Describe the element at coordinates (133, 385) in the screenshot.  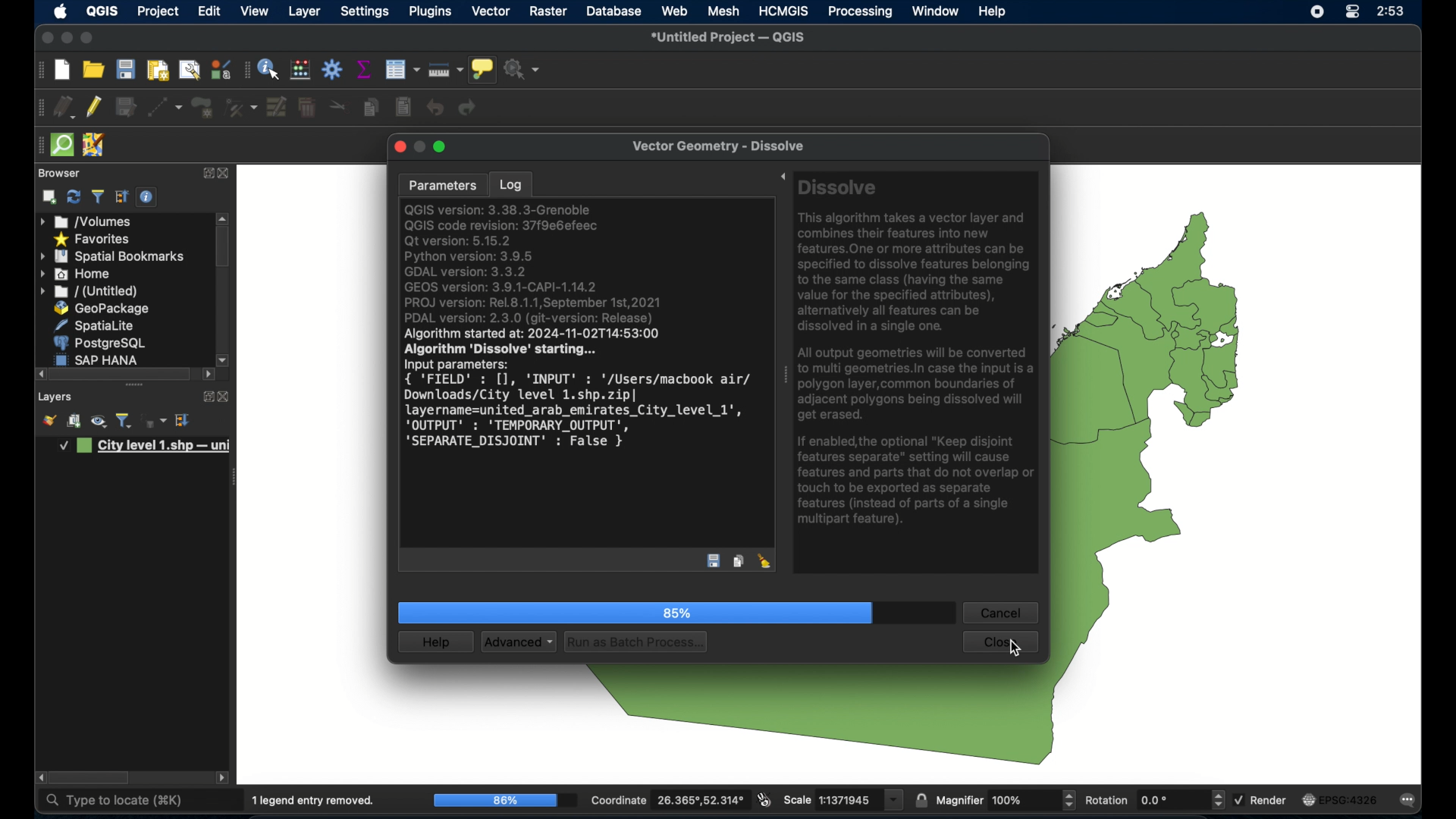
I see `drag handle` at that location.